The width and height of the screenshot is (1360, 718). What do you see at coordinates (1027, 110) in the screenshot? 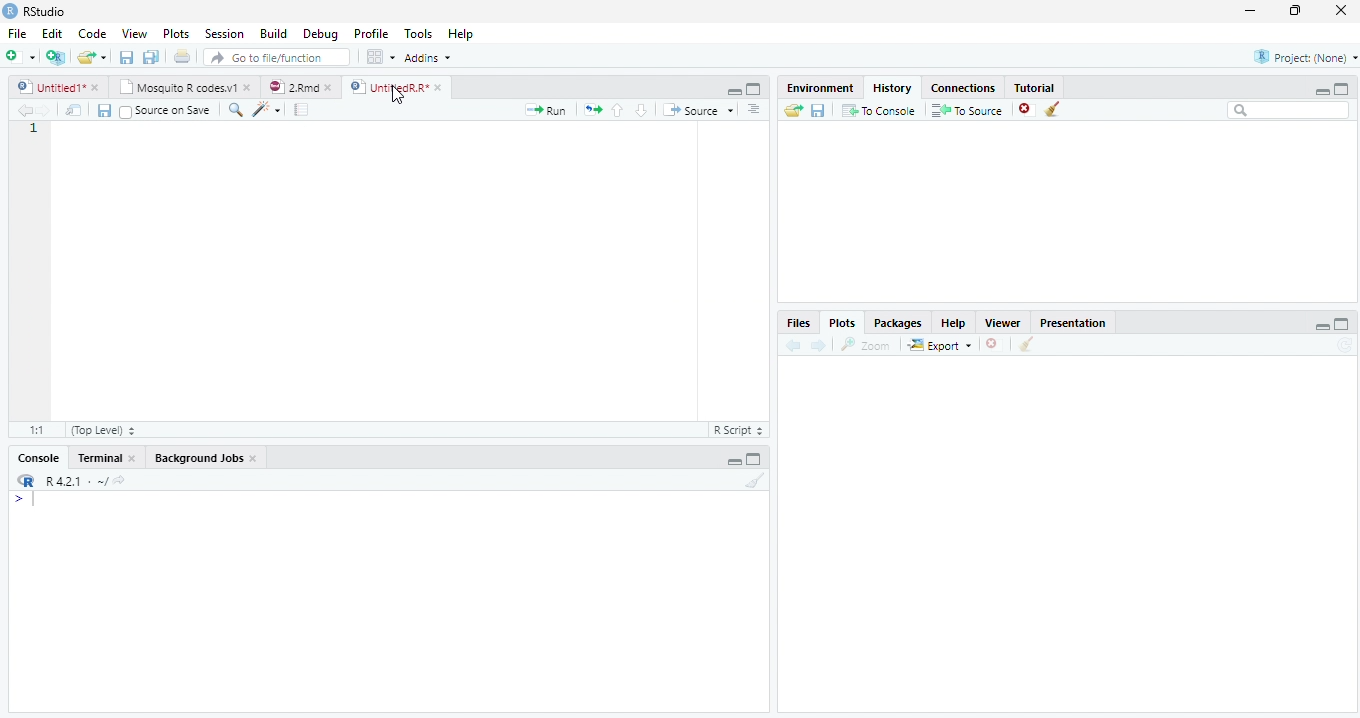
I see `Delete ` at bounding box center [1027, 110].